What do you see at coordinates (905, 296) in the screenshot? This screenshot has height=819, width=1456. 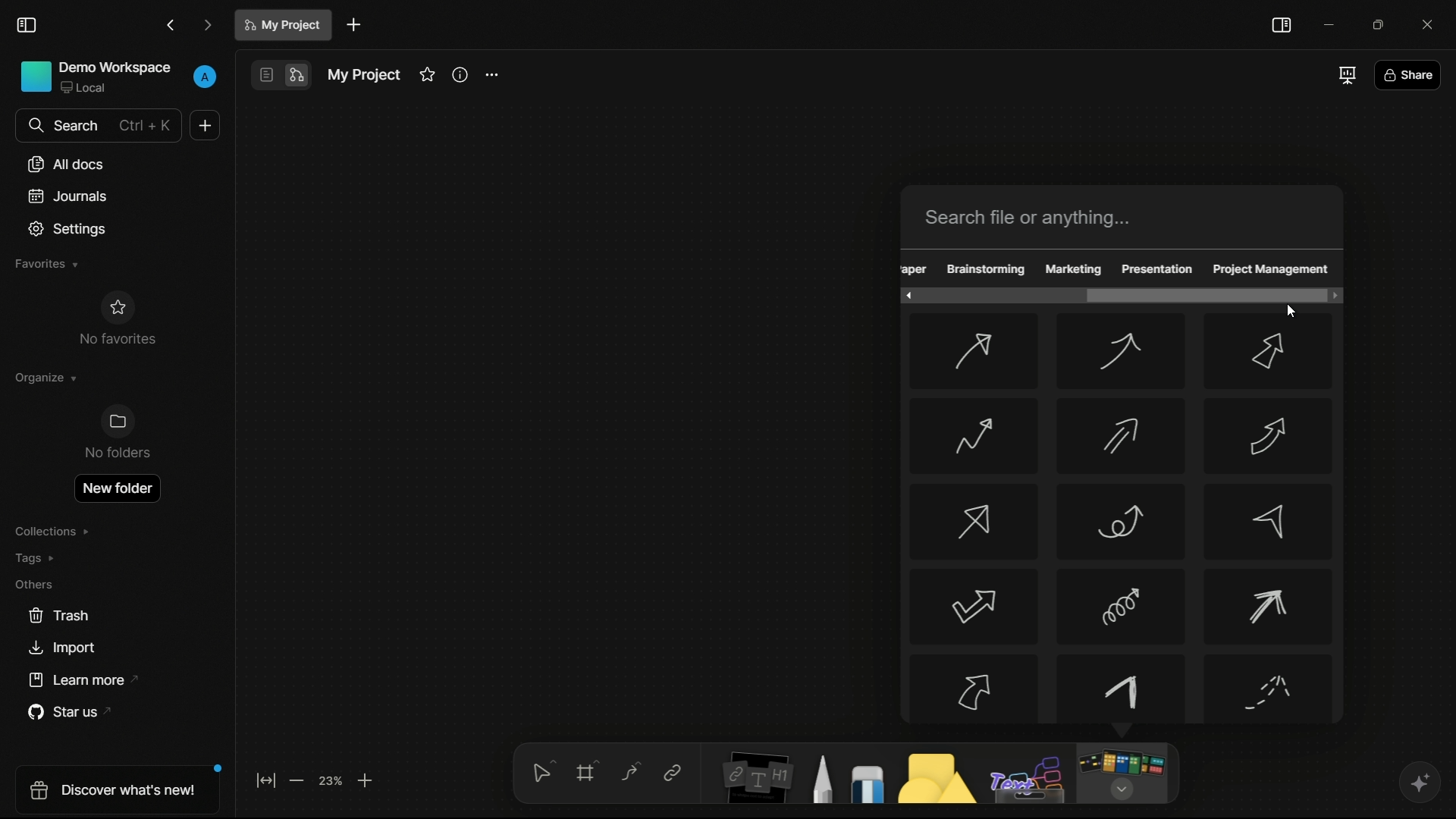 I see `scroll left` at bounding box center [905, 296].